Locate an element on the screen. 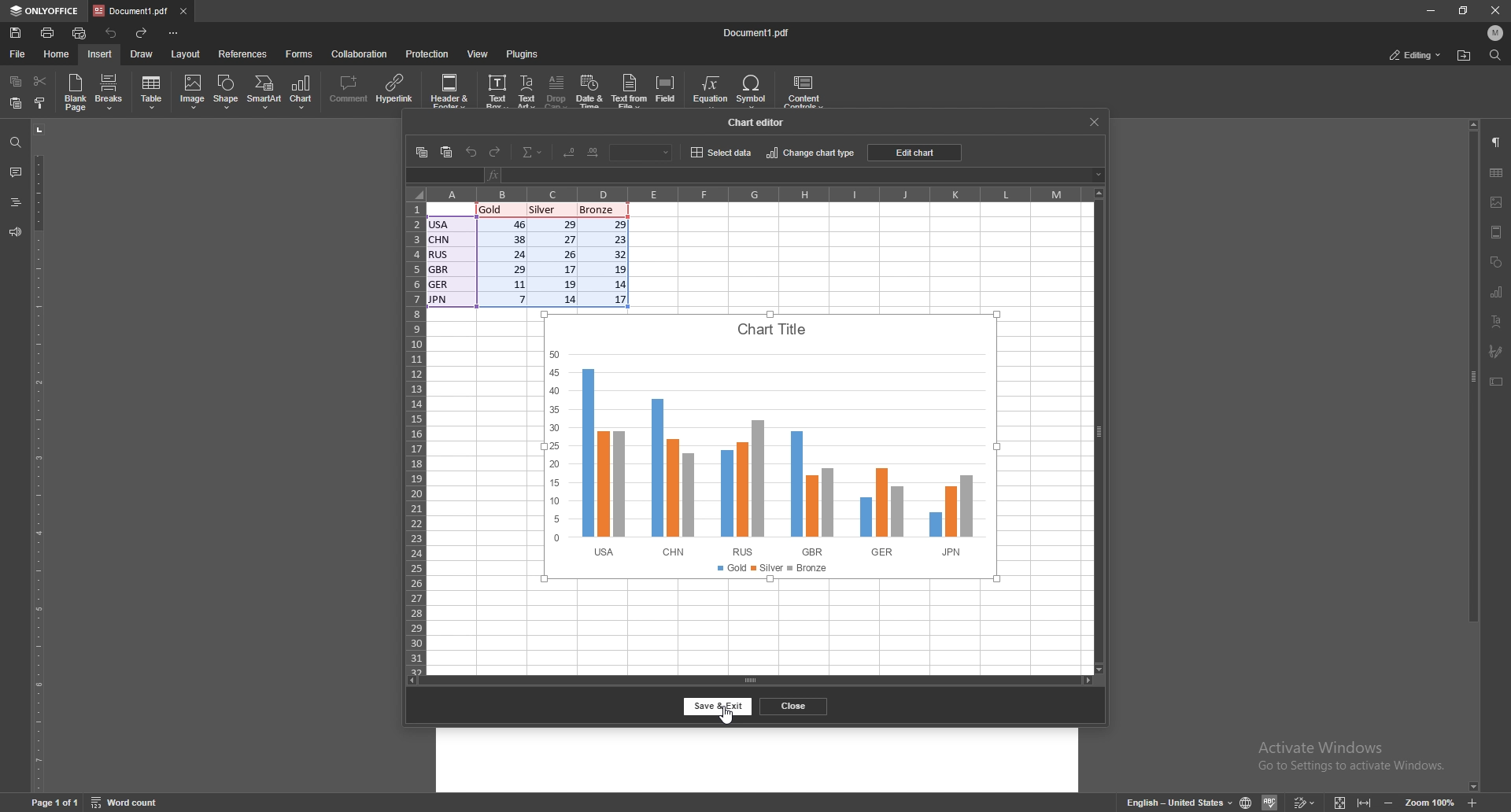 The height and width of the screenshot is (812, 1511). configure tool bar is located at coordinates (175, 33).